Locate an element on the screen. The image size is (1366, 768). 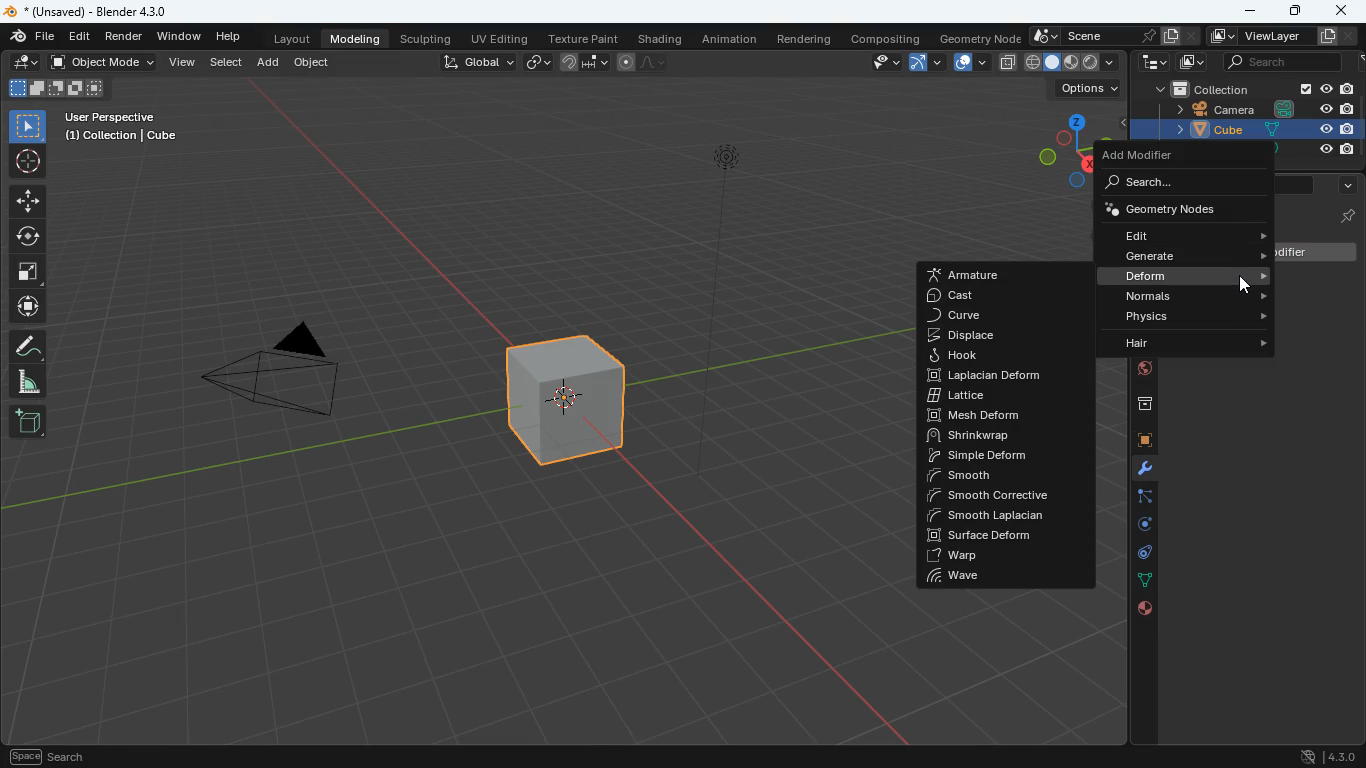
pan view is located at coordinates (39, 755).